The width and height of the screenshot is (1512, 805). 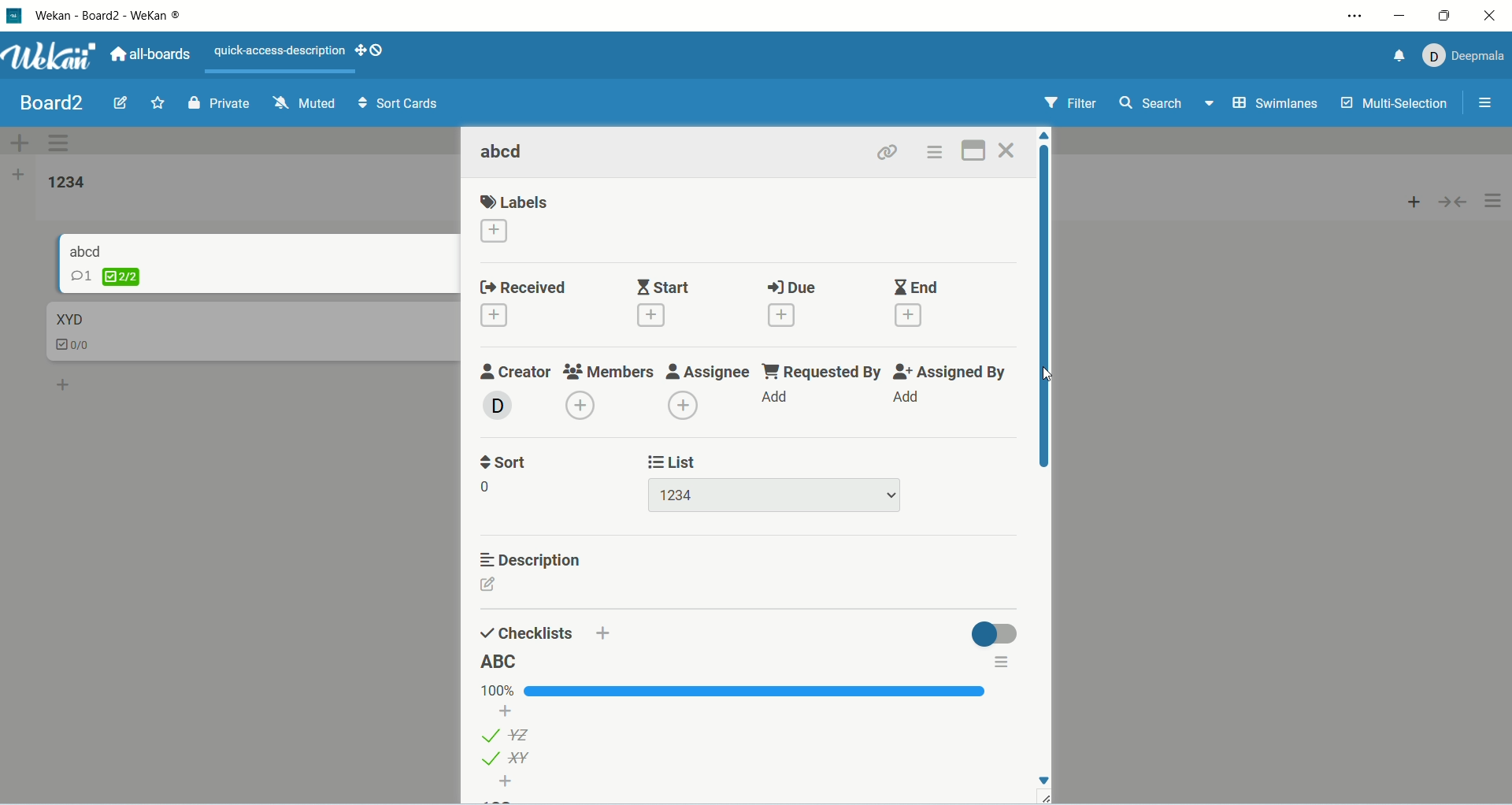 What do you see at coordinates (823, 371) in the screenshot?
I see `requested by` at bounding box center [823, 371].